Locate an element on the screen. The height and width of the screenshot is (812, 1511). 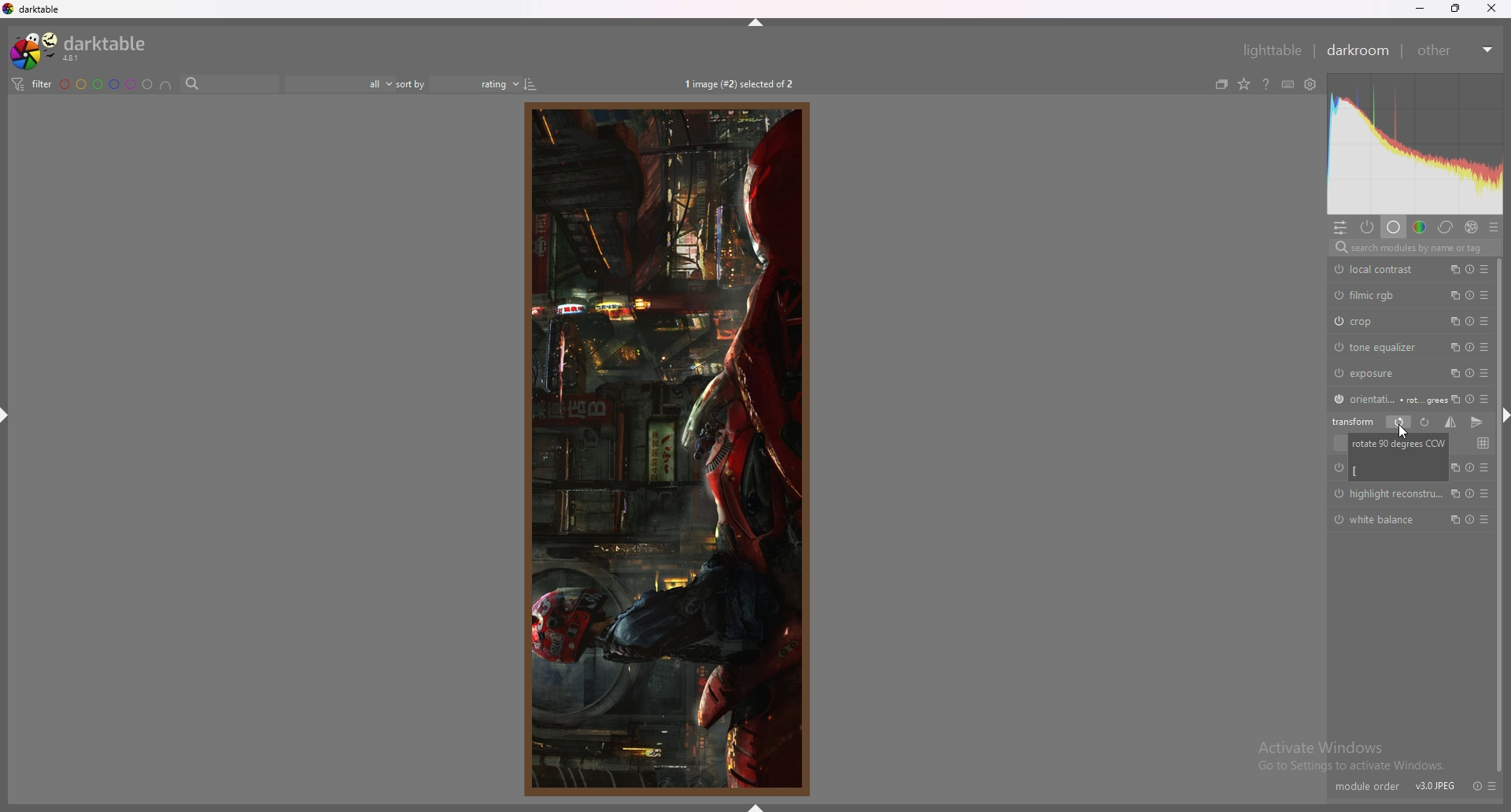
multiple instances action is located at coordinates (1453, 321).